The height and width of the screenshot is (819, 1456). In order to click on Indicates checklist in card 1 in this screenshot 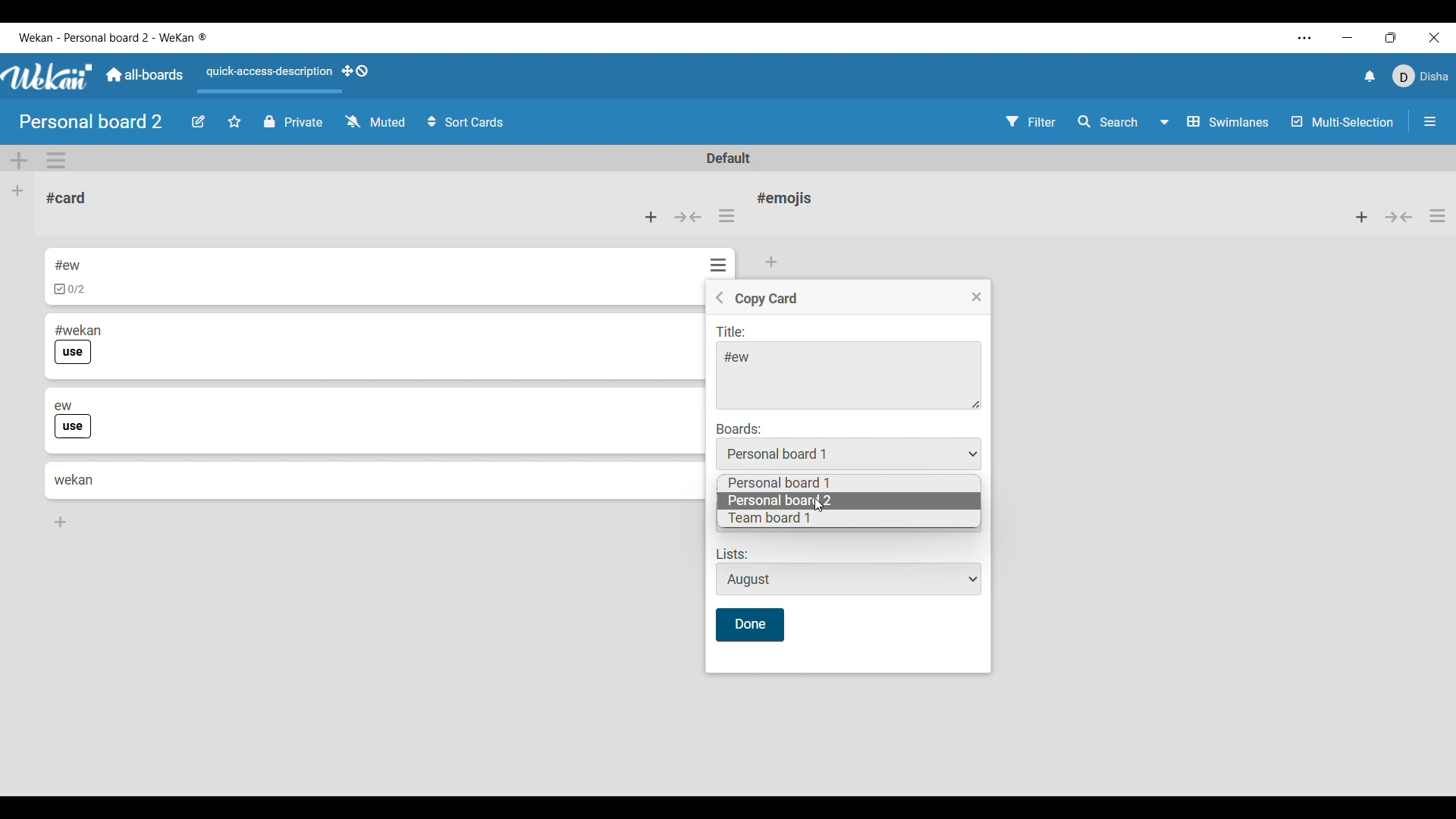, I will do `click(70, 290)`.